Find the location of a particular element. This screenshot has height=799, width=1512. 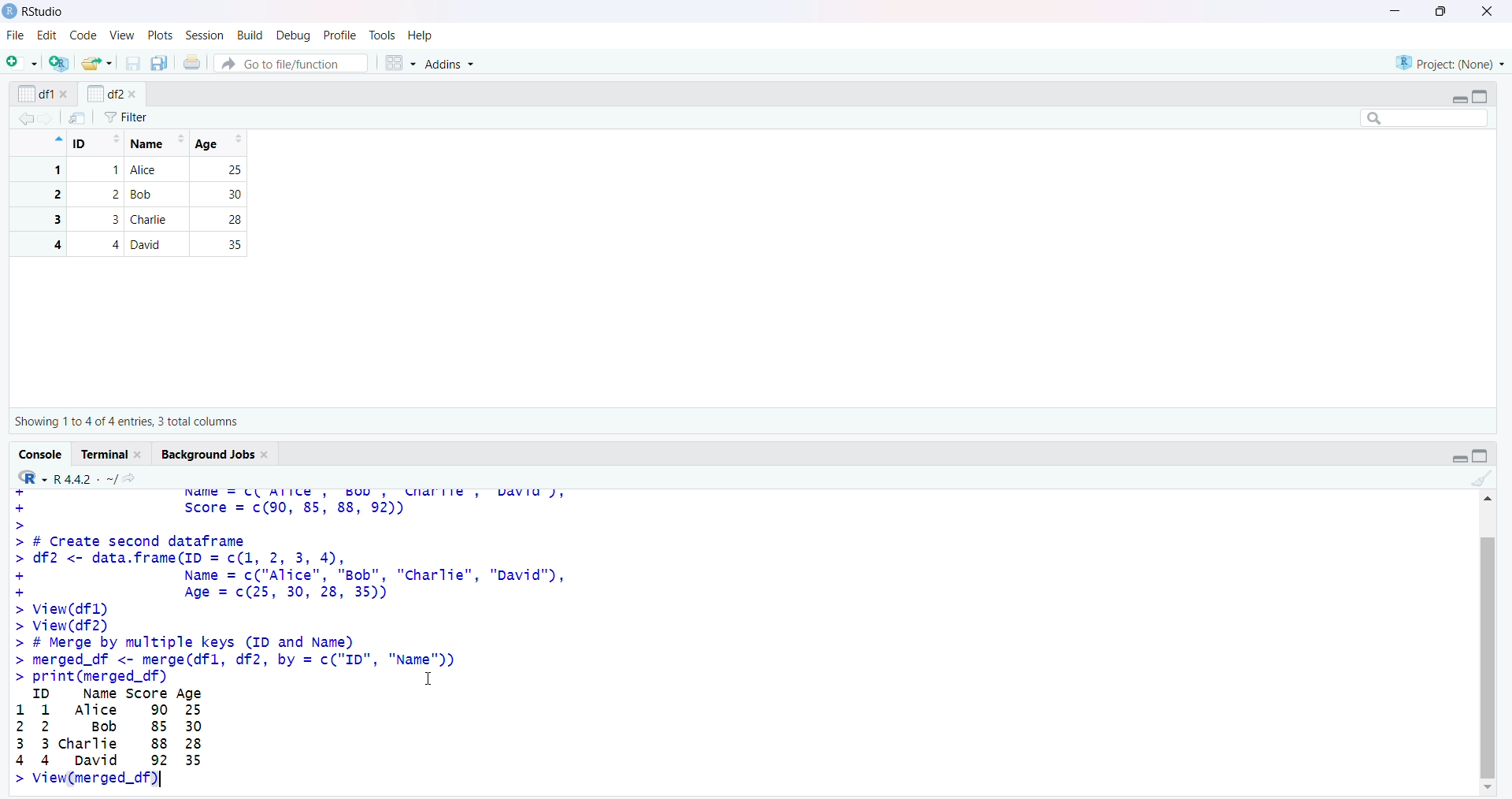

RStudio is located at coordinates (45, 12).